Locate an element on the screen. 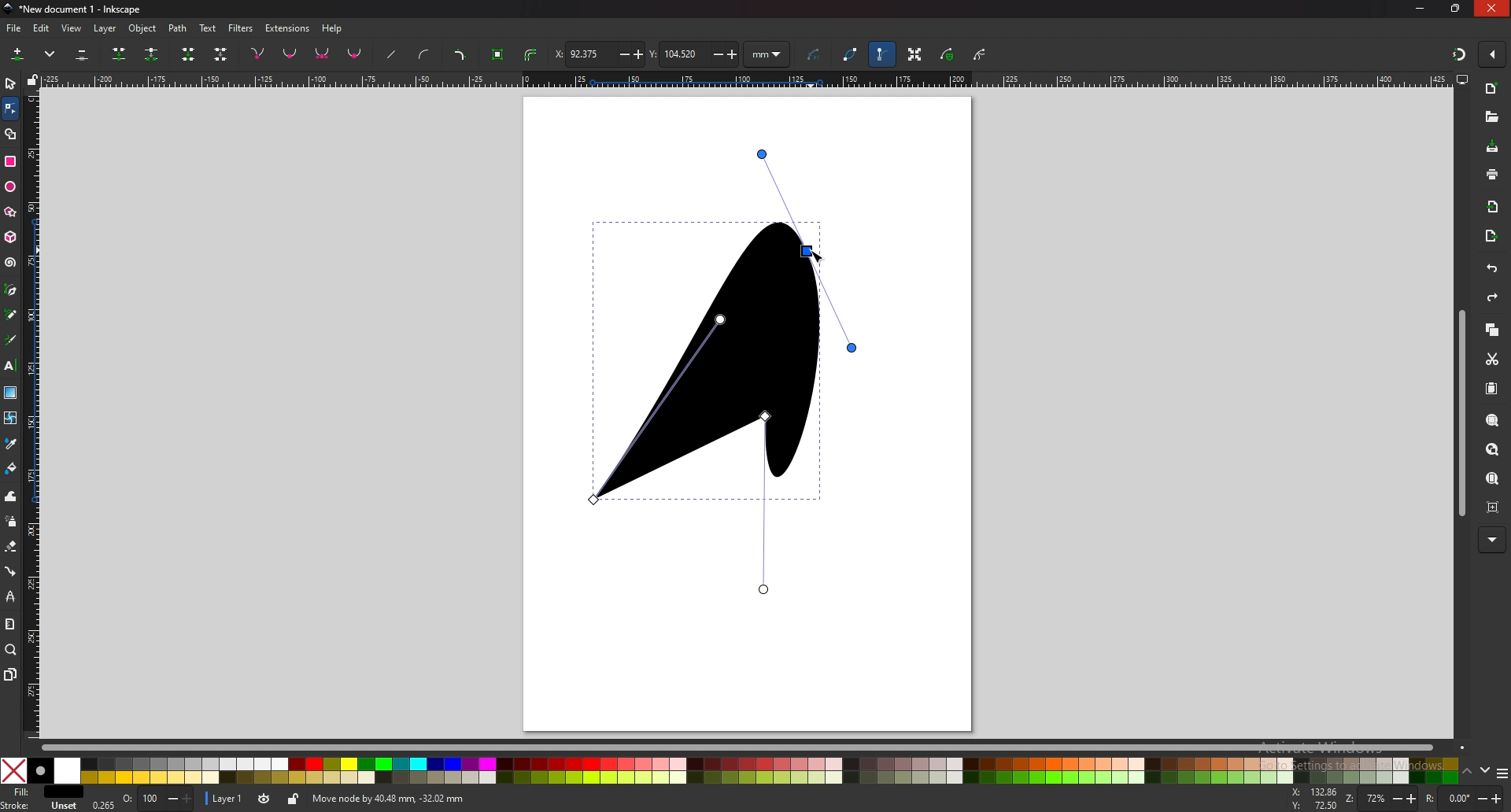  print is located at coordinates (1491, 174).